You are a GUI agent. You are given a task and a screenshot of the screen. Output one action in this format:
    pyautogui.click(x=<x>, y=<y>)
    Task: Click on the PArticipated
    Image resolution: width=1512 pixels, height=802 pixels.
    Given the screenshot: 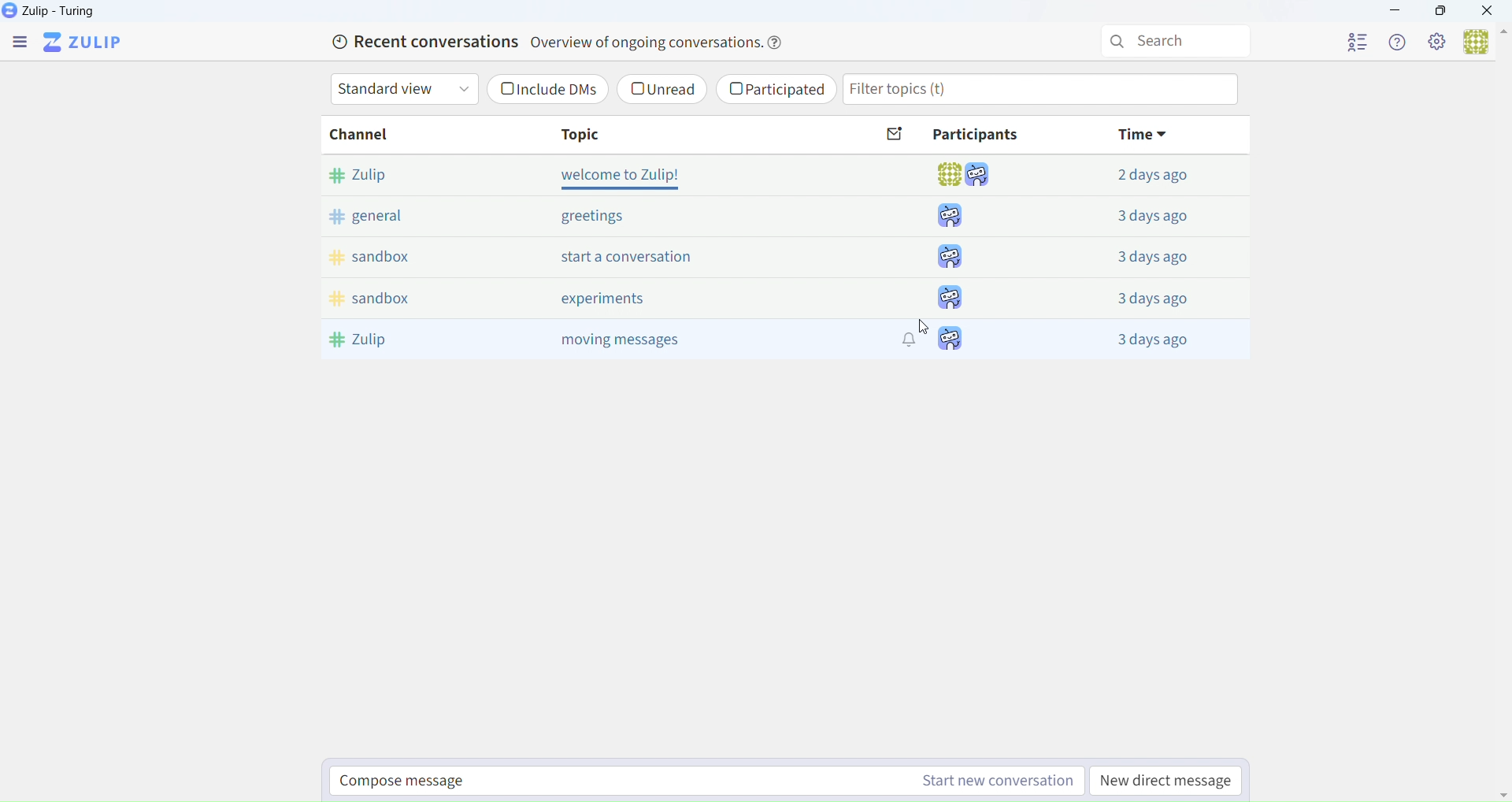 What is the action you would take?
    pyautogui.click(x=780, y=90)
    